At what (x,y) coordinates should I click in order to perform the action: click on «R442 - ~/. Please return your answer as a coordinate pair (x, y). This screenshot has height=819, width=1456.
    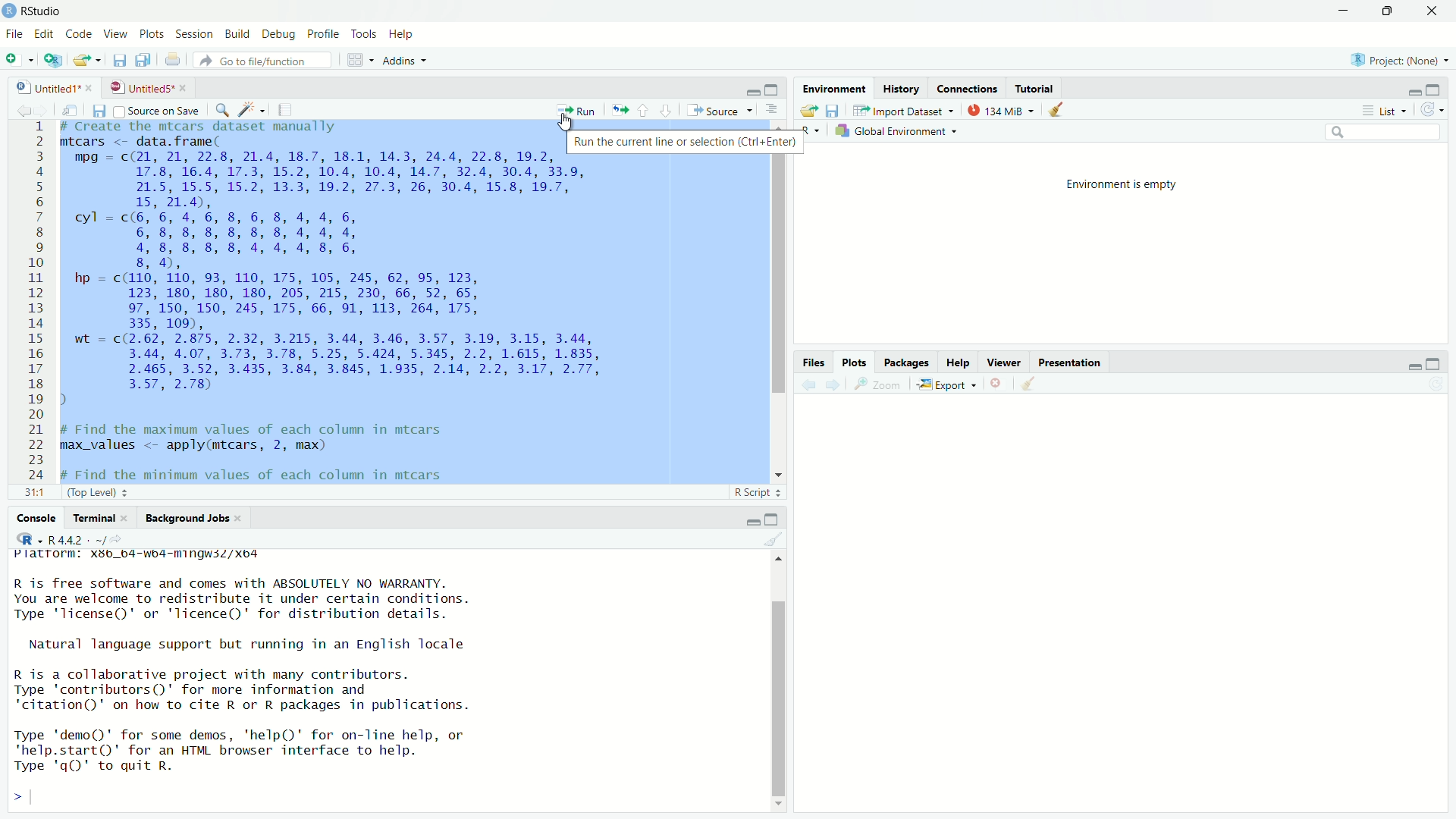
    Looking at the image, I should click on (67, 538).